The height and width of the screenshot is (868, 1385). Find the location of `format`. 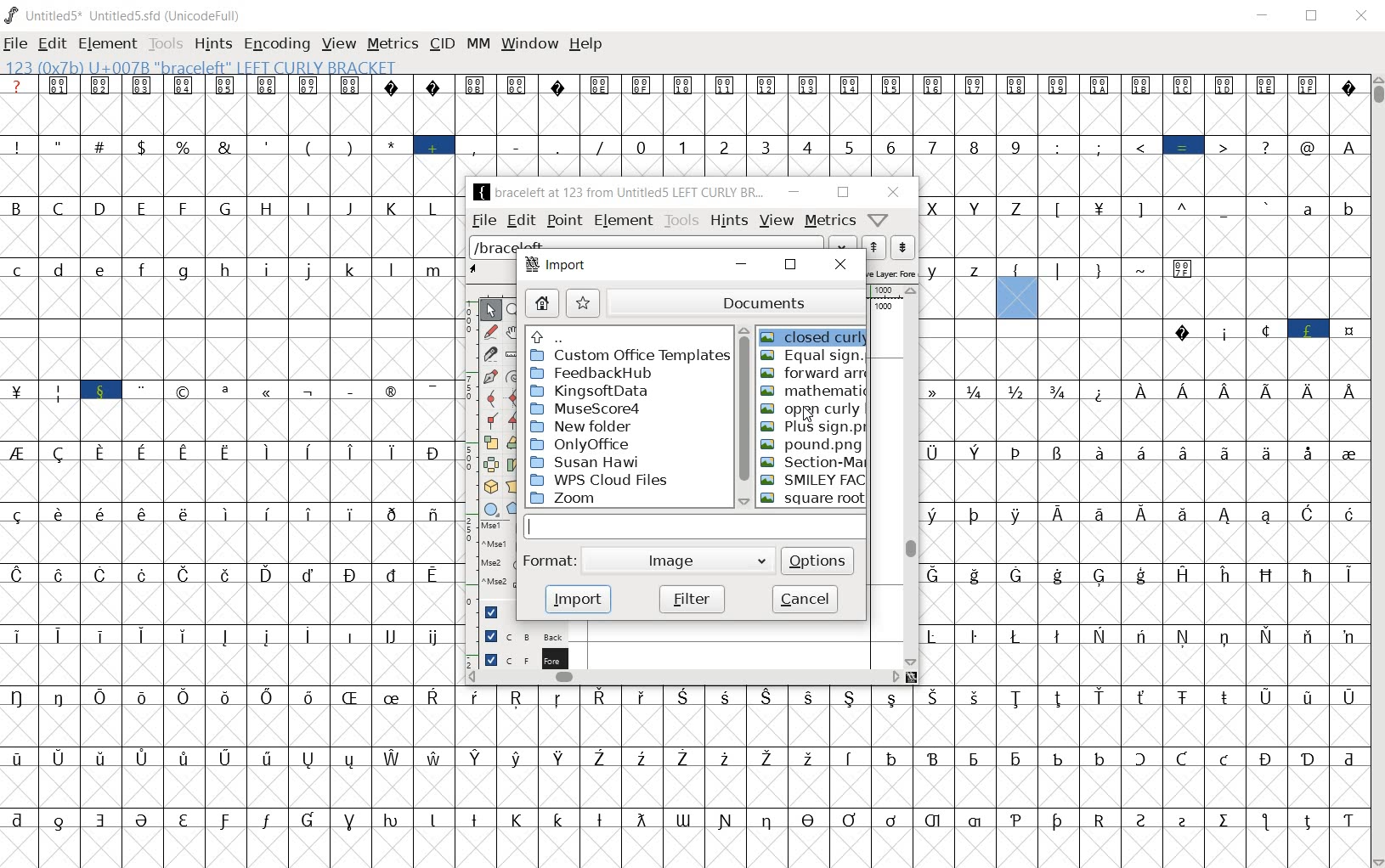

format is located at coordinates (547, 561).